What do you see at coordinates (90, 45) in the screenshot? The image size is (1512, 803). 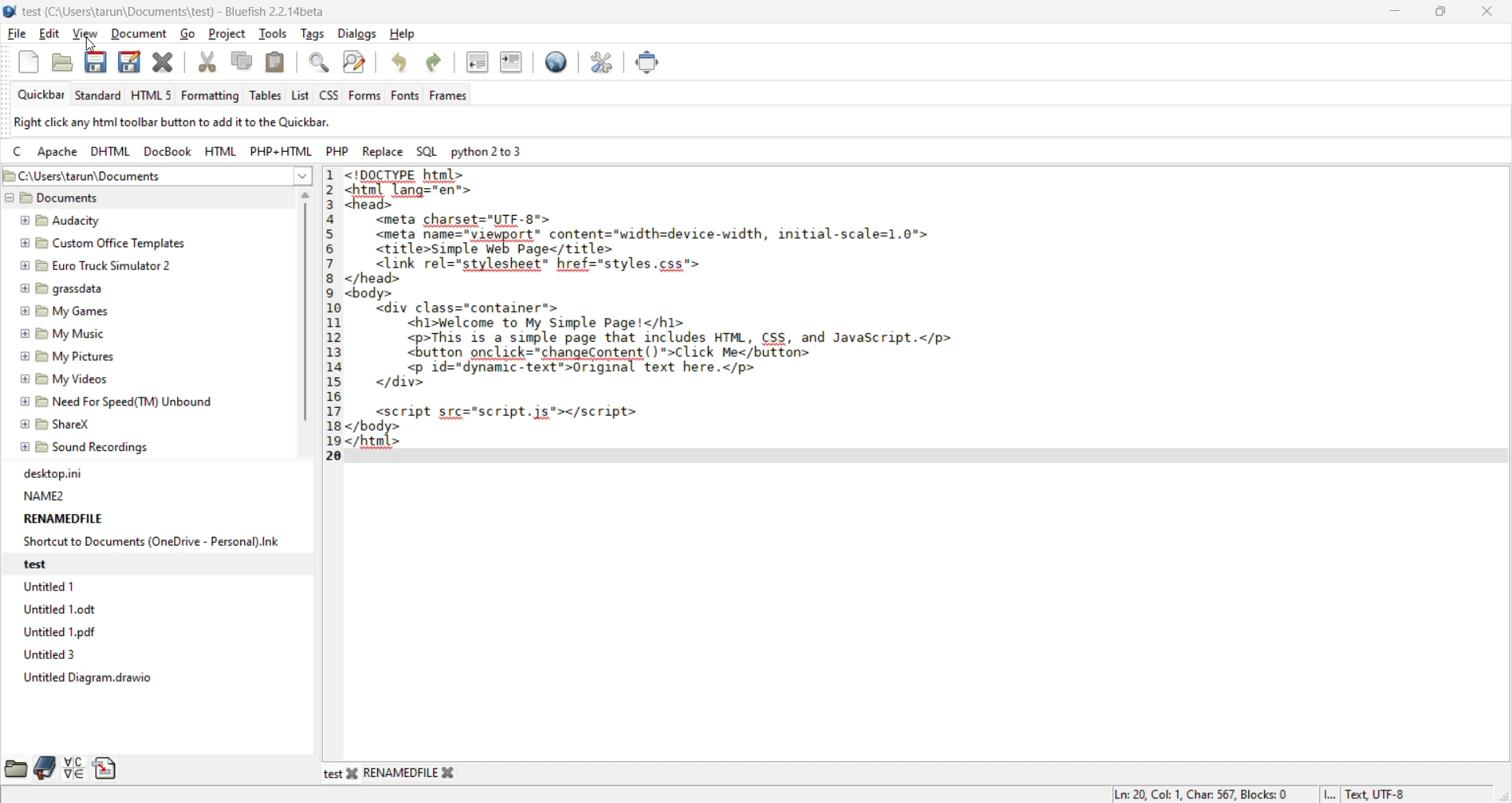 I see `cursor` at bounding box center [90, 45].